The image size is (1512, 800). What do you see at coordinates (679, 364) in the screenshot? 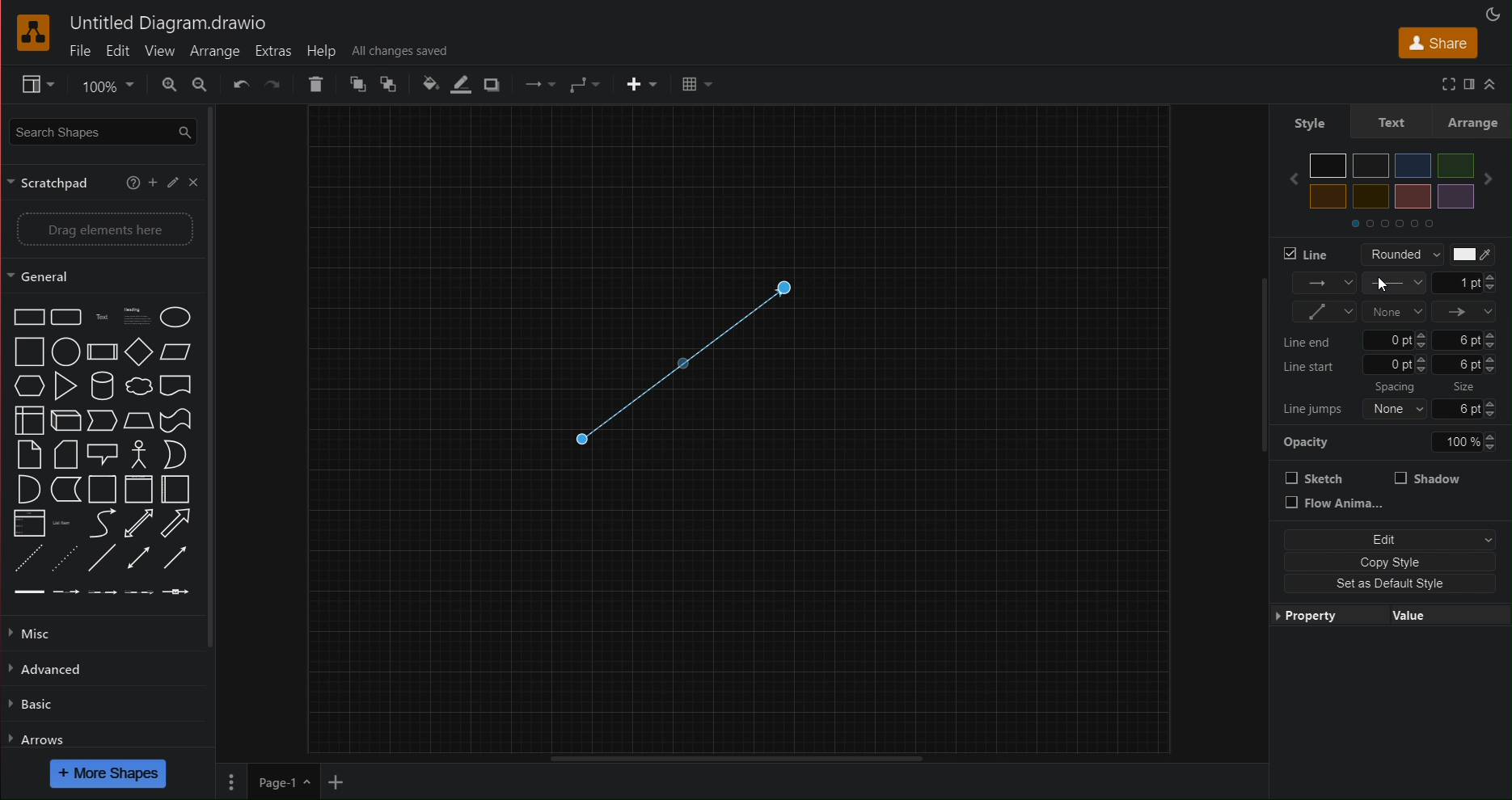
I see `Straight Line (selected)` at bounding box center [679, 364].